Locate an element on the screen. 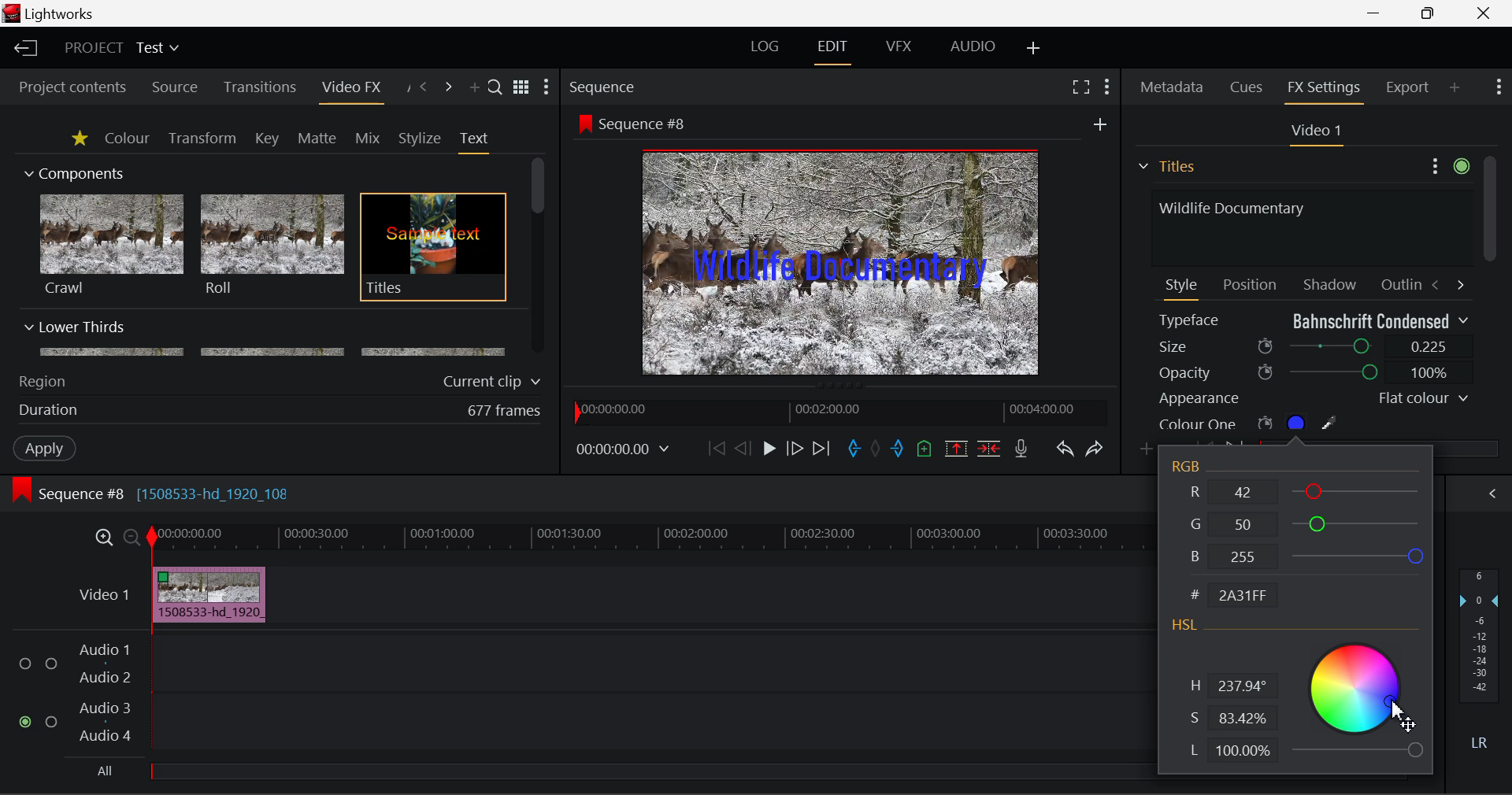 This screenshot has width=1512, height=795. Text Input Field is located at coordinates (1307, 226).